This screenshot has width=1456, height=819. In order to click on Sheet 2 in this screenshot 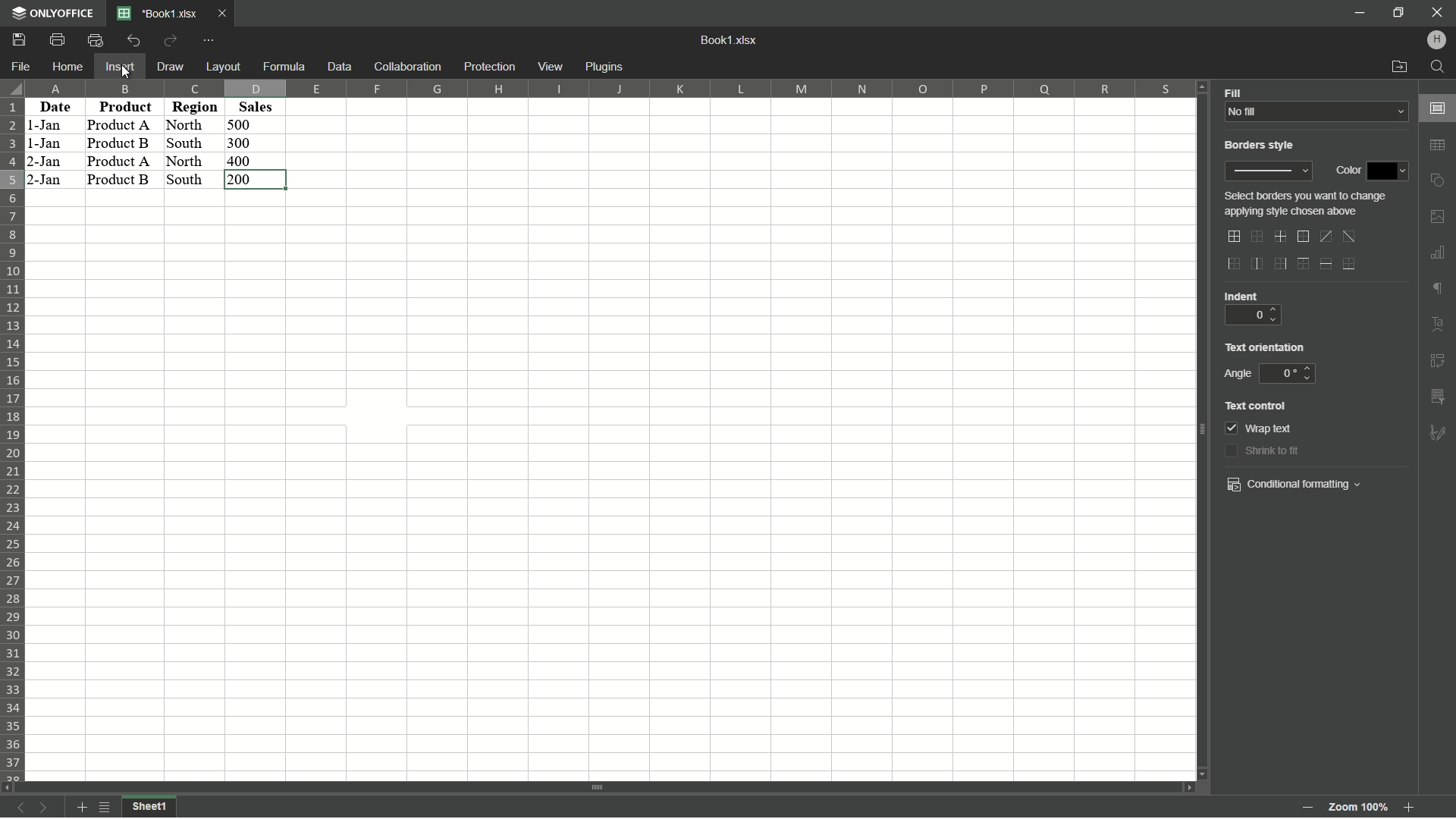, I will do `click(149, 807)`.